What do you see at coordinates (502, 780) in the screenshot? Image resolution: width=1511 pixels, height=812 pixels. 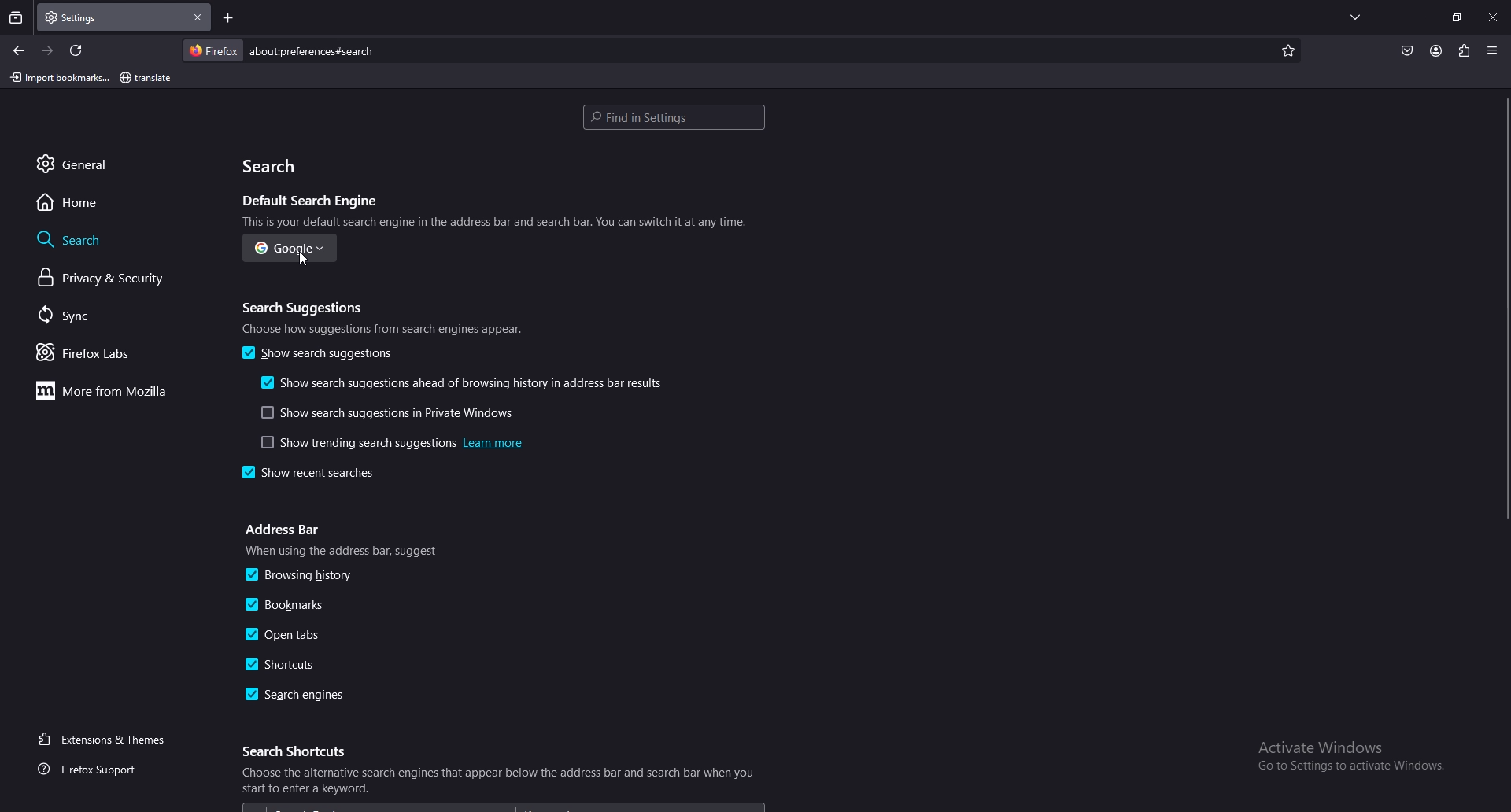 I see `info` at bounding box center [502, 780].